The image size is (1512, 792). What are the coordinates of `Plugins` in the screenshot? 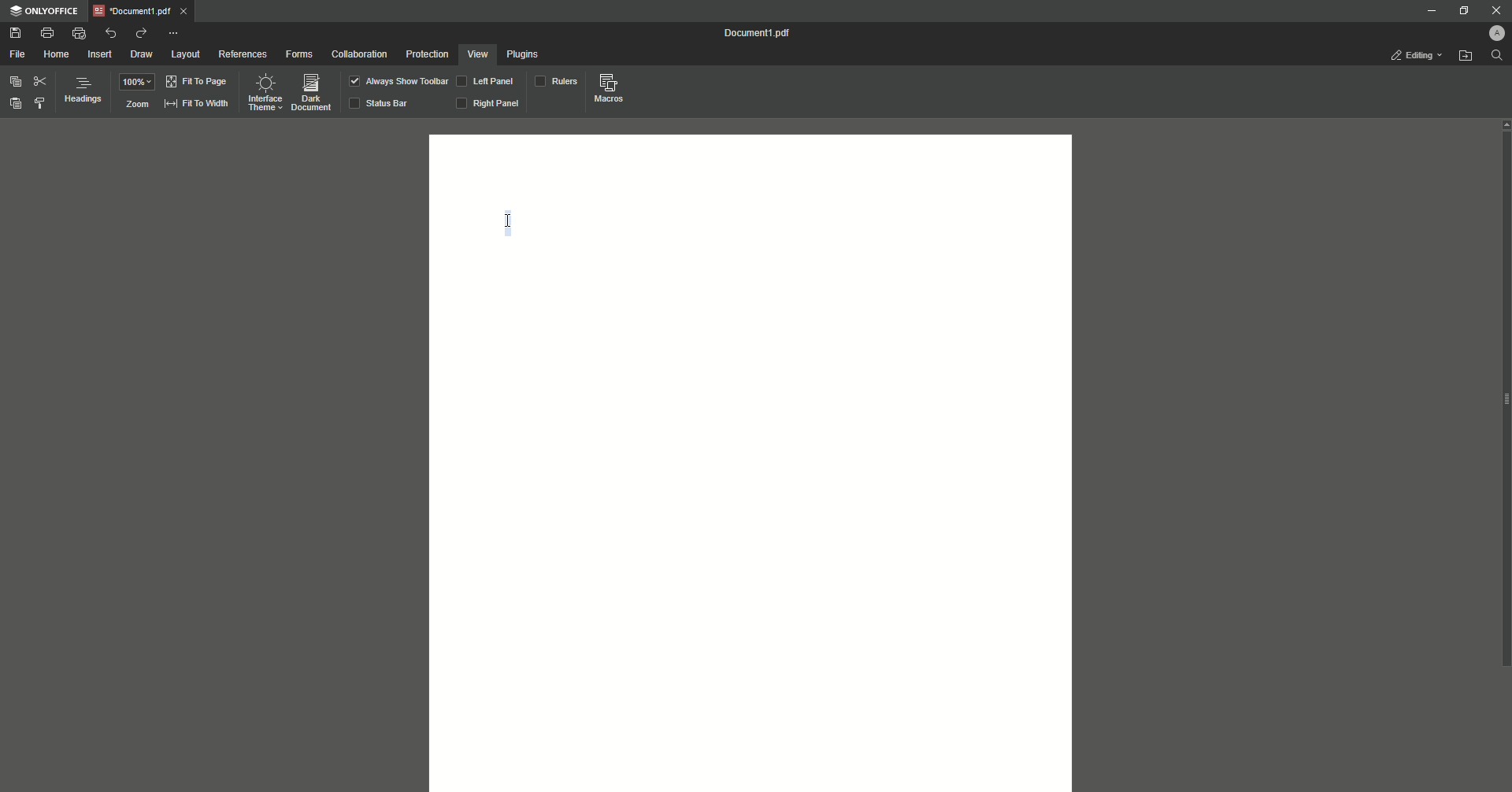 It's located at (524, 56).